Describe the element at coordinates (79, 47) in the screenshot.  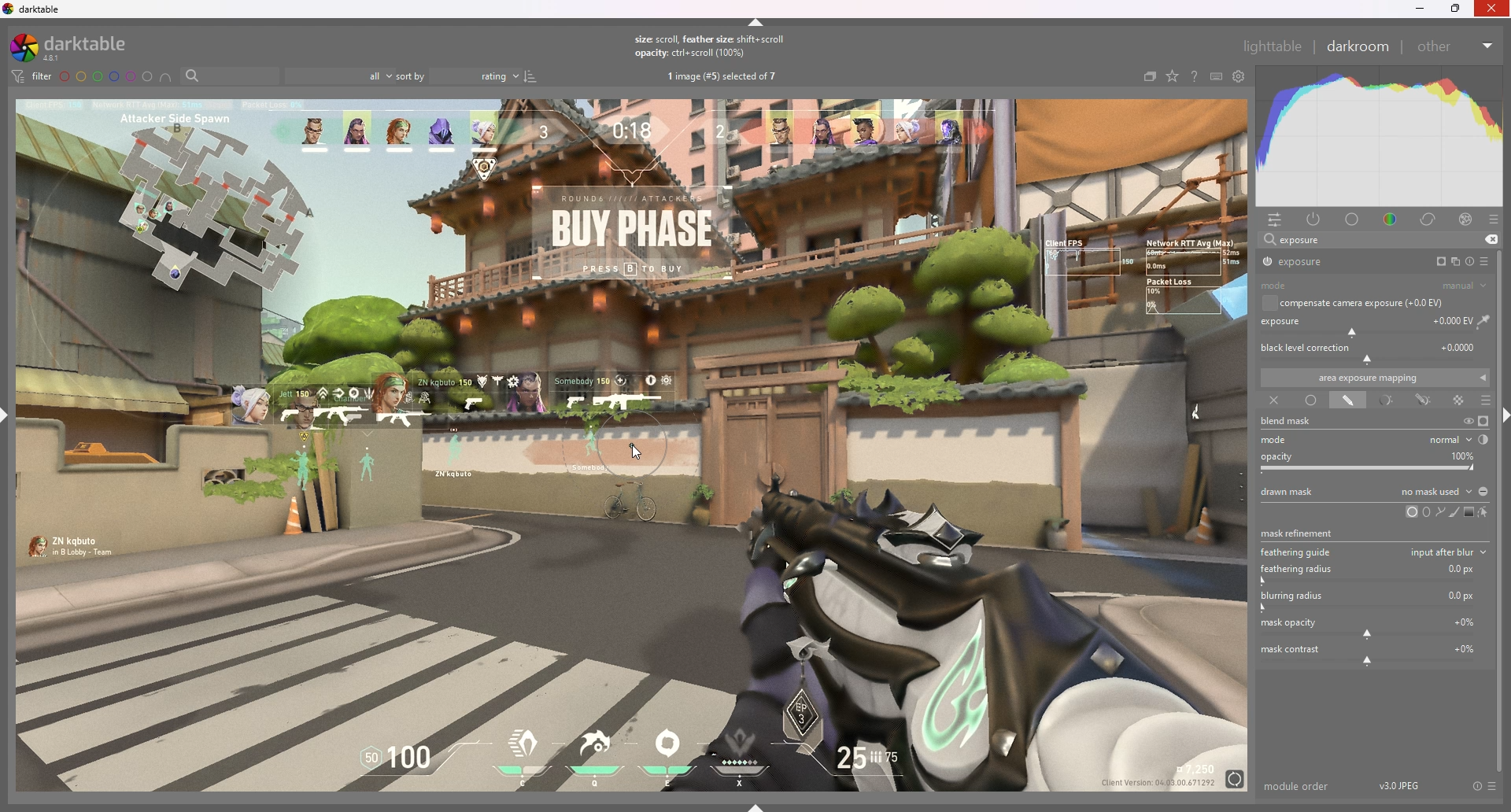
I see `darktable` at that location.